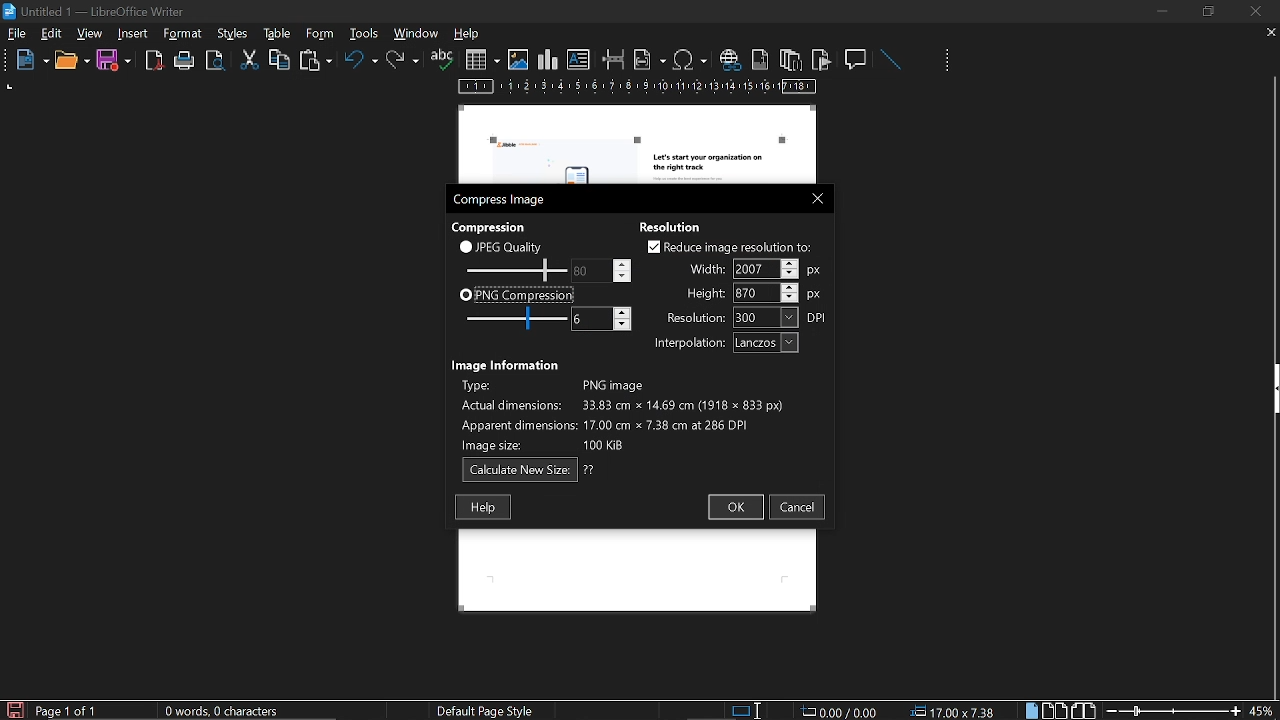 This screenshot has width=1280, height=720. I want to click on width, so click(755, 269).